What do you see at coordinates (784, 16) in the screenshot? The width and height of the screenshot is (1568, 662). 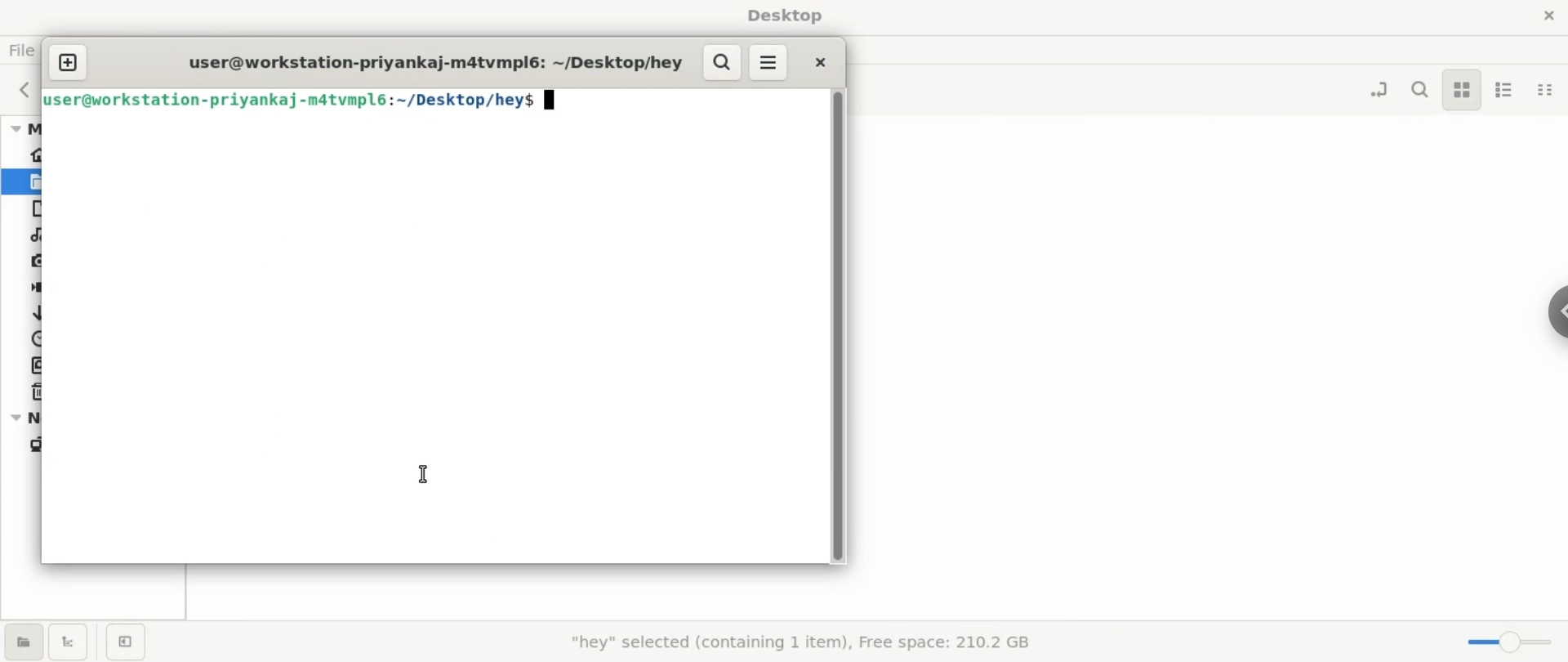 I see `desktop` at bounding box center [784, 16].